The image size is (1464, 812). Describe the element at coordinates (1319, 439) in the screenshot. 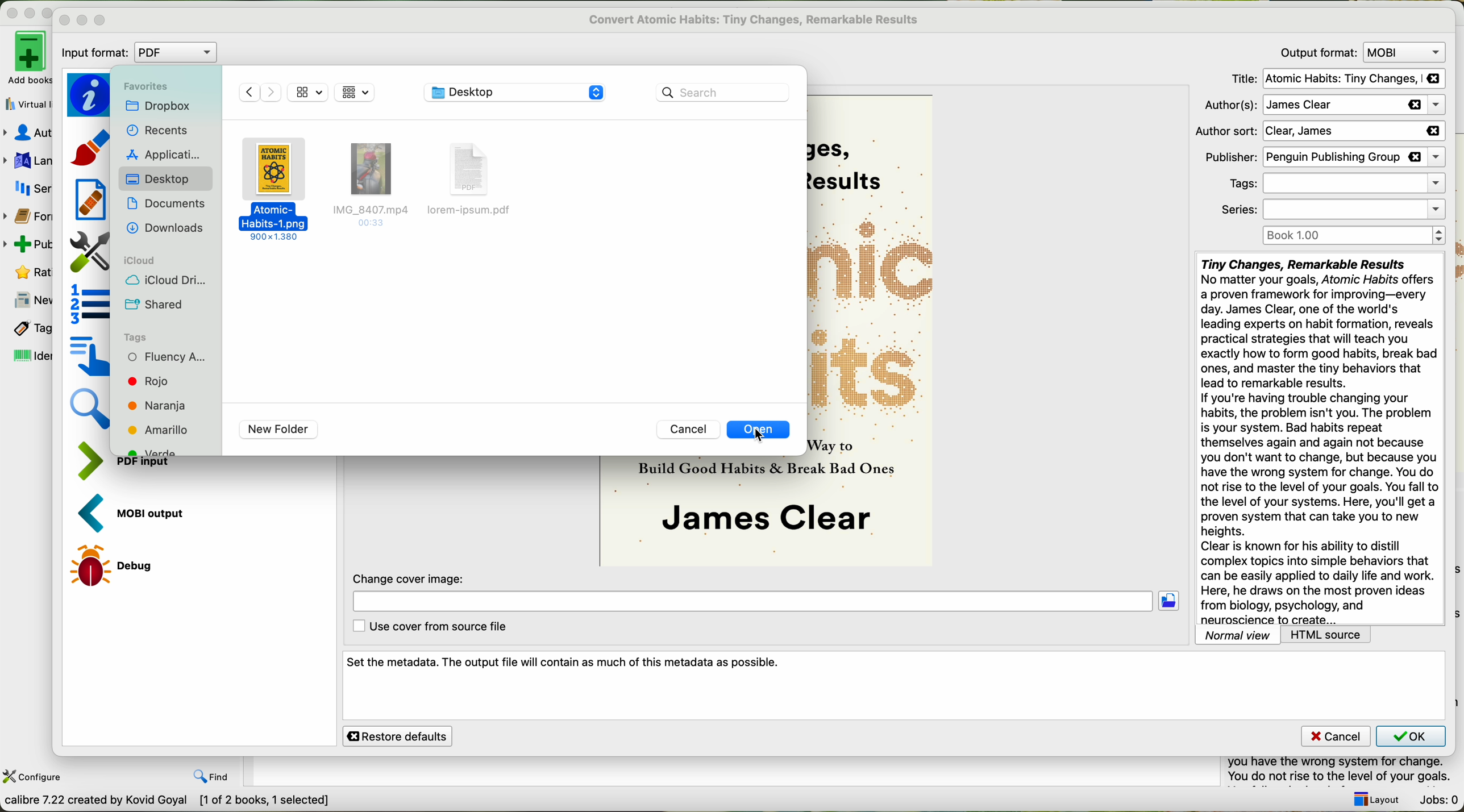

I see `synopsis` at that location.